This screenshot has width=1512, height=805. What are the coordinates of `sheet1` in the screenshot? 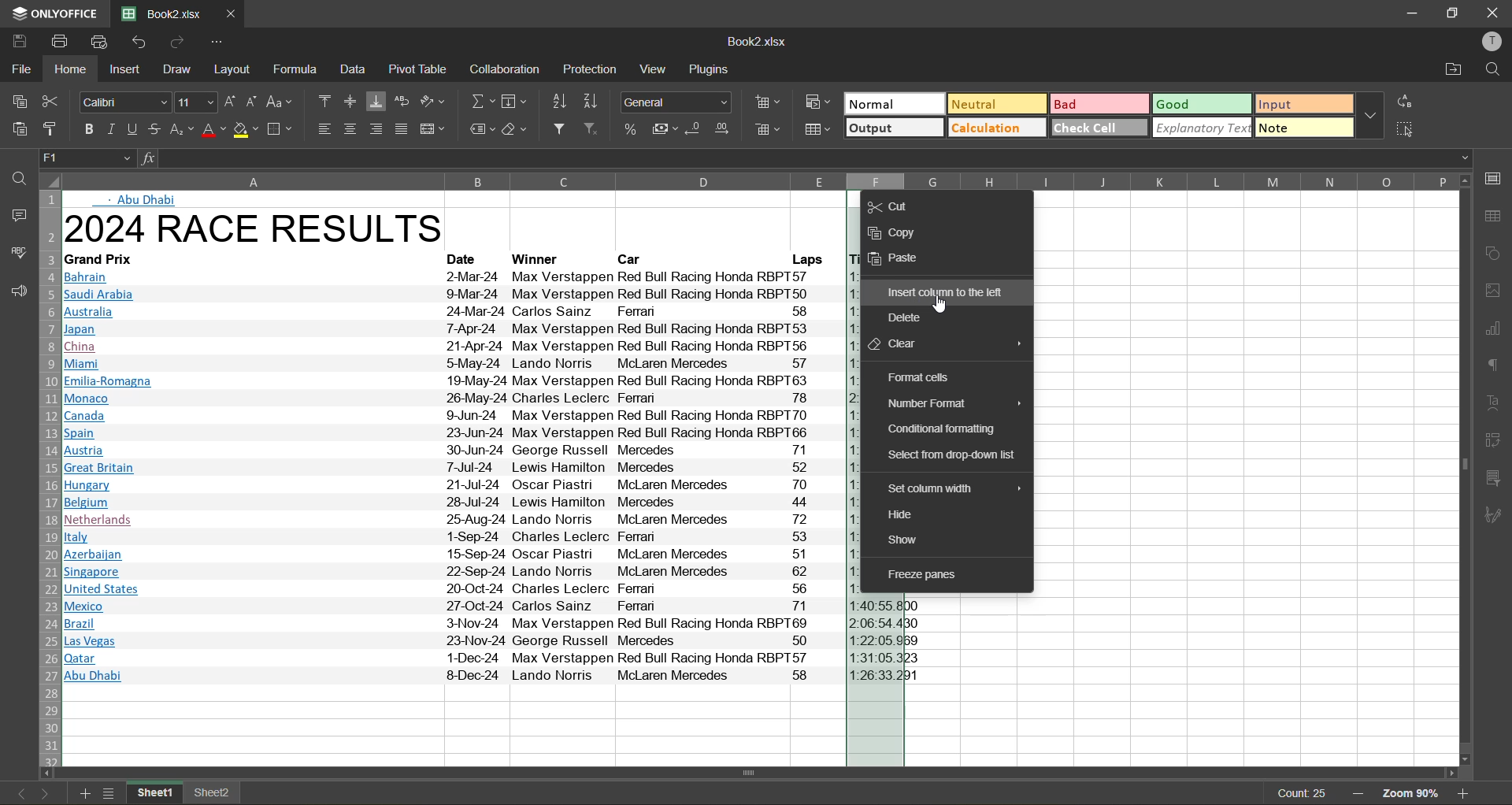 It's located at (156, 795).